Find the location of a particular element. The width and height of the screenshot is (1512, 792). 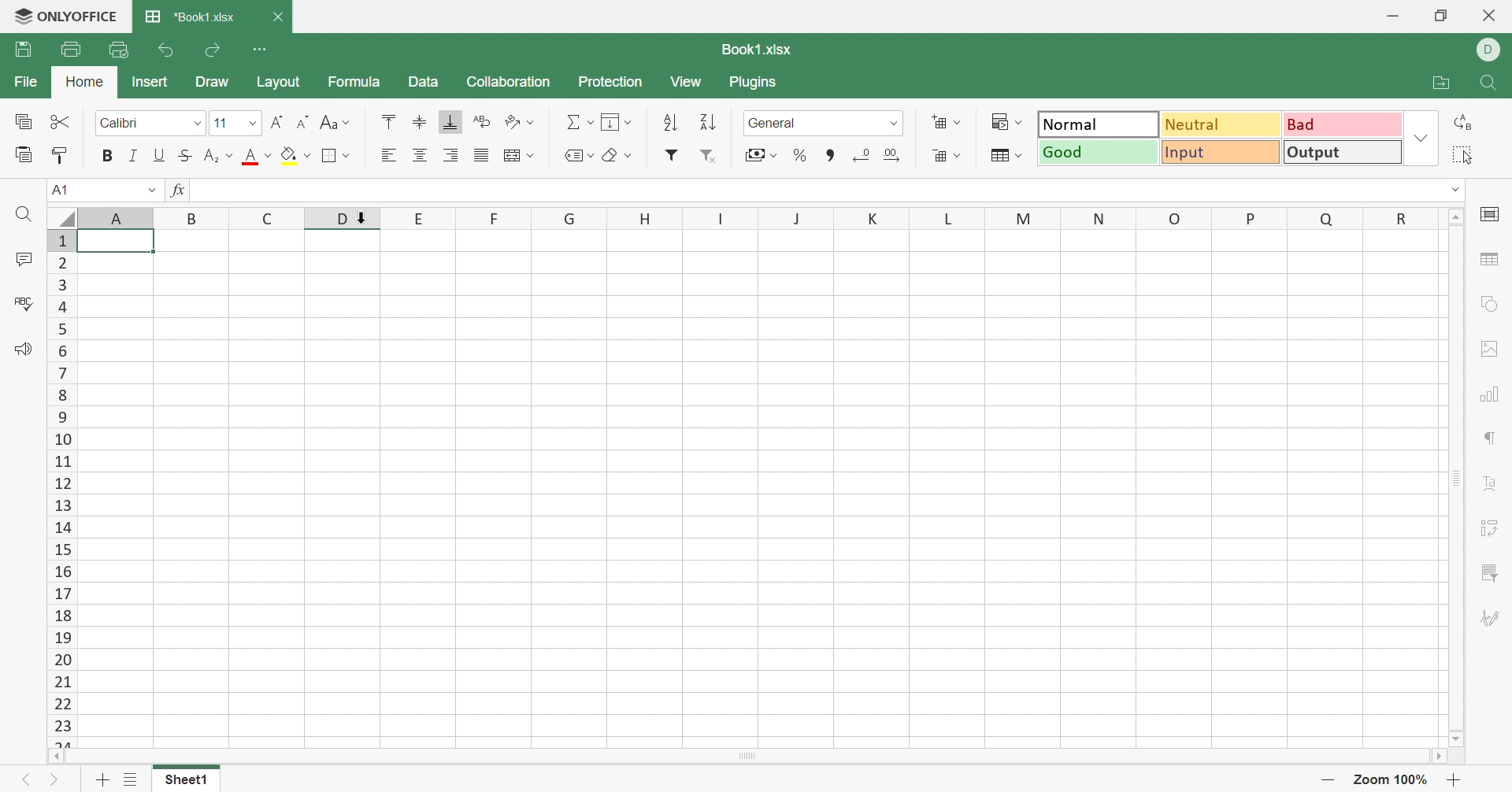

Decrement font size is located at coordinates (303, 120).